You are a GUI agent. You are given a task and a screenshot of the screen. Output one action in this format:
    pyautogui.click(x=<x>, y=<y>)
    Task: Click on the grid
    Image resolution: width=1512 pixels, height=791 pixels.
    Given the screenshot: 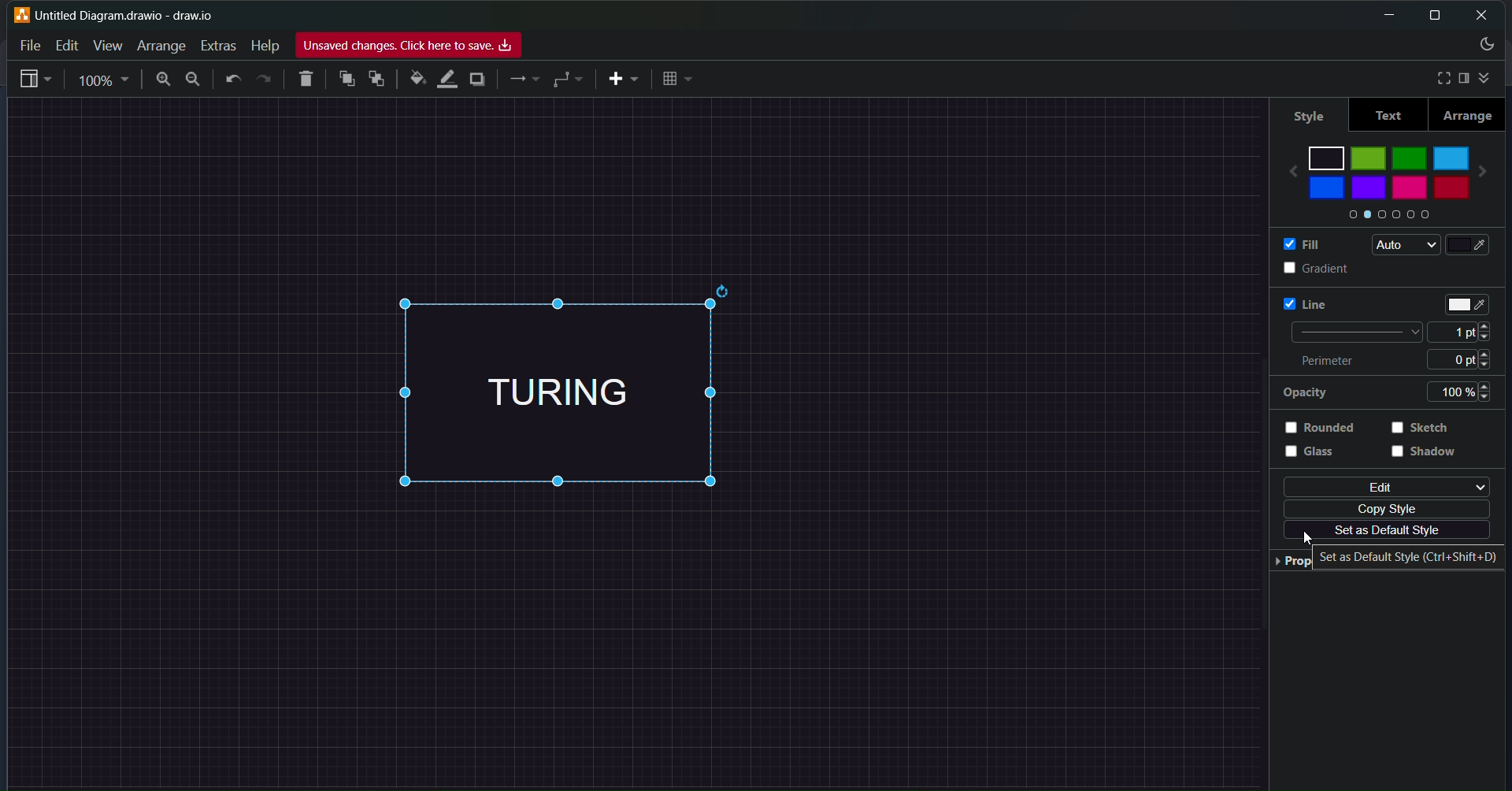 What is the action you would take?
    pyautogui.click(x=679, y=79)
    